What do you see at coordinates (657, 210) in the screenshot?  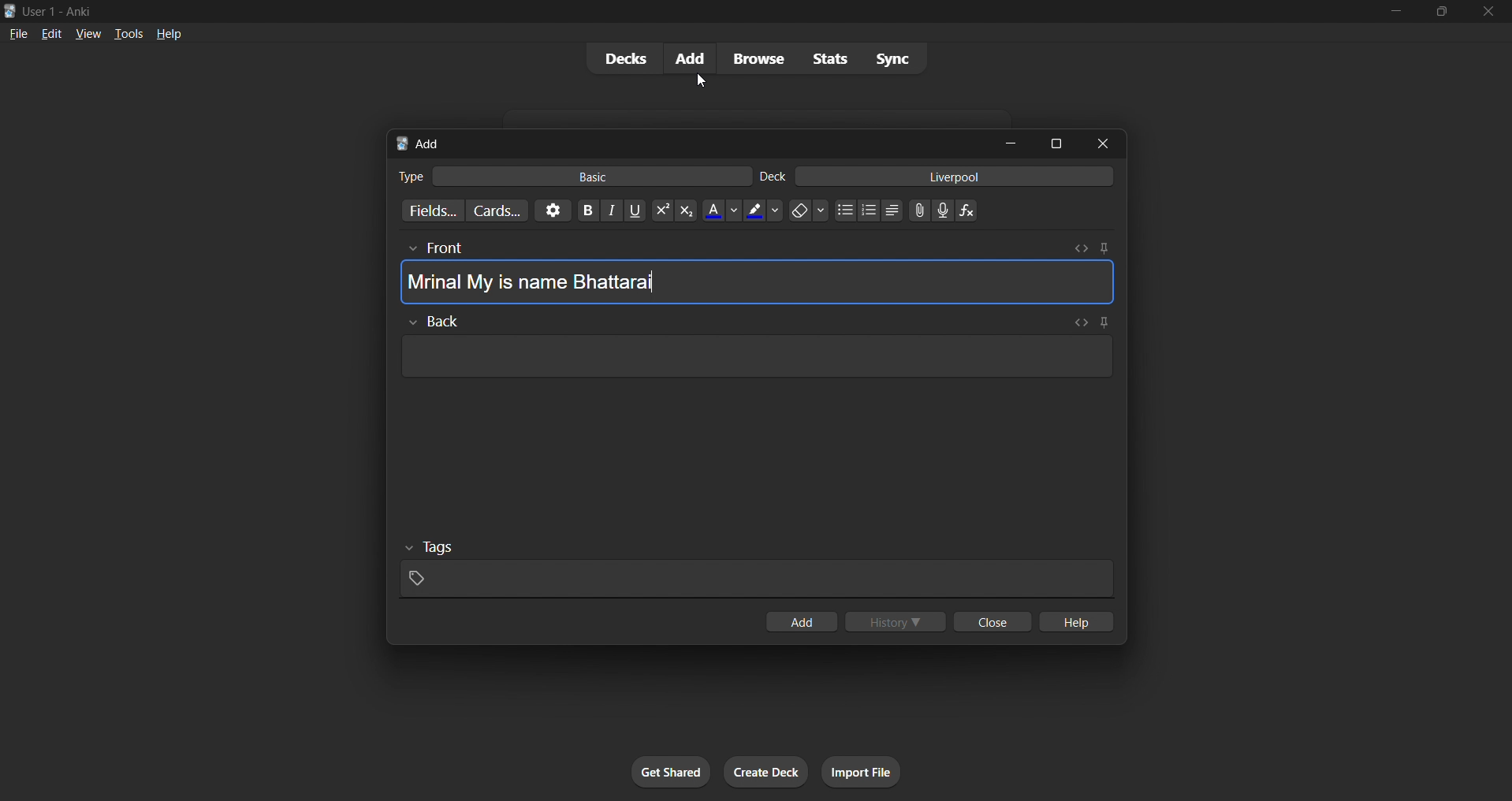 I see `super script` at bounding box center [657, 210].